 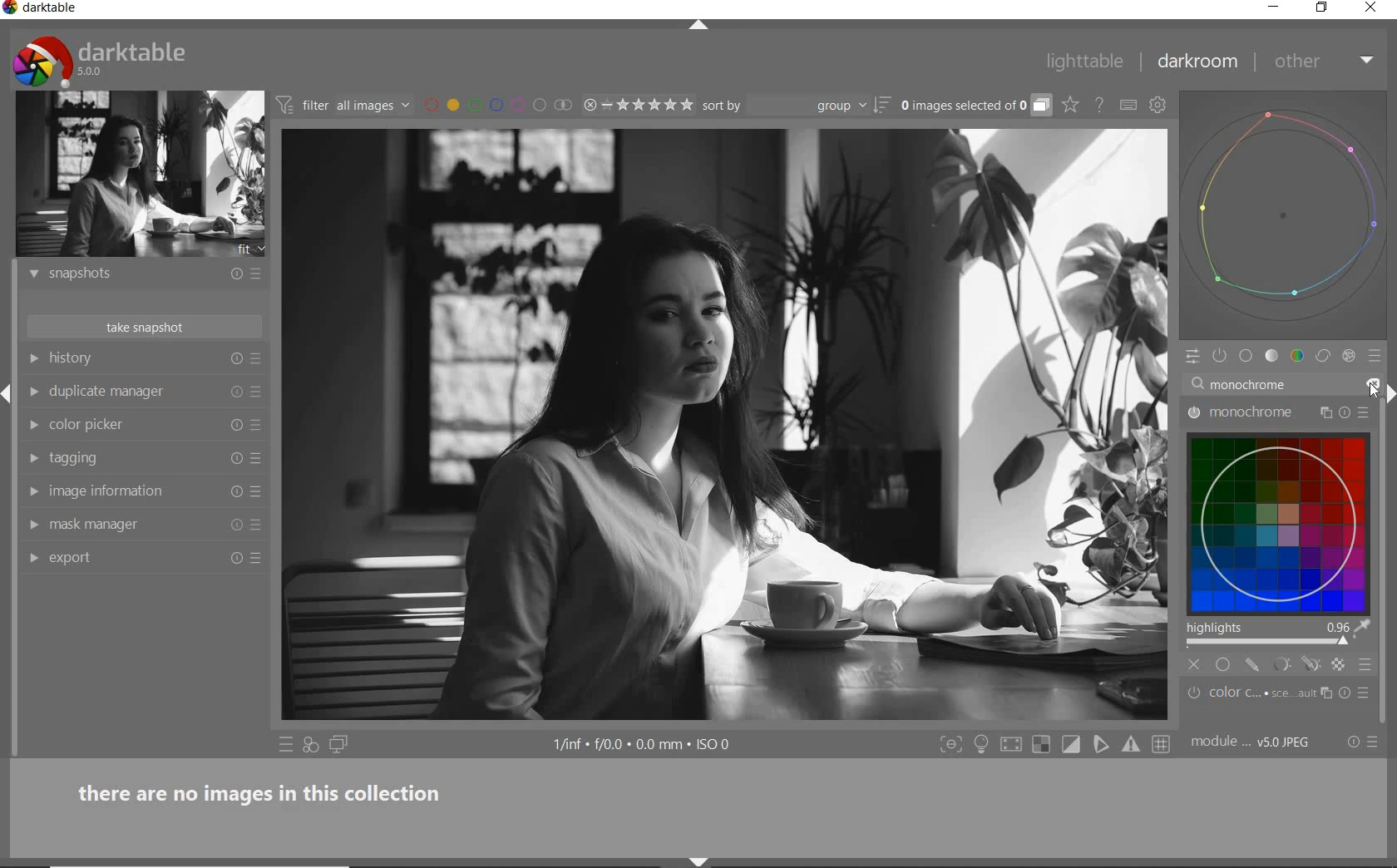 What do you see at coordinates (31, 491) in the screenshot?
I see `show module` at bounding box center [31, 491].